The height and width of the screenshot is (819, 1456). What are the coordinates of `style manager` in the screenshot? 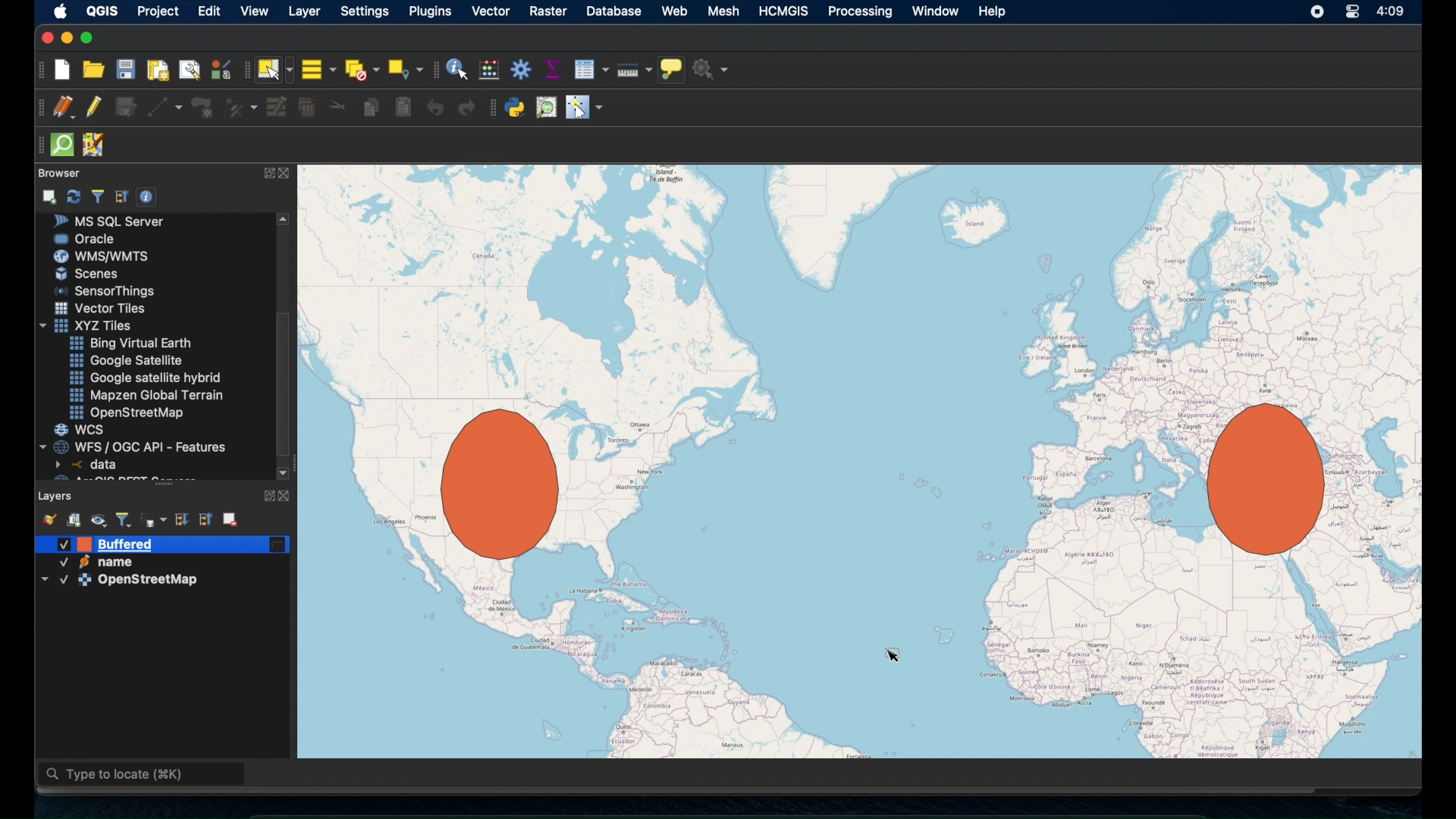 It's located at (220, 69).